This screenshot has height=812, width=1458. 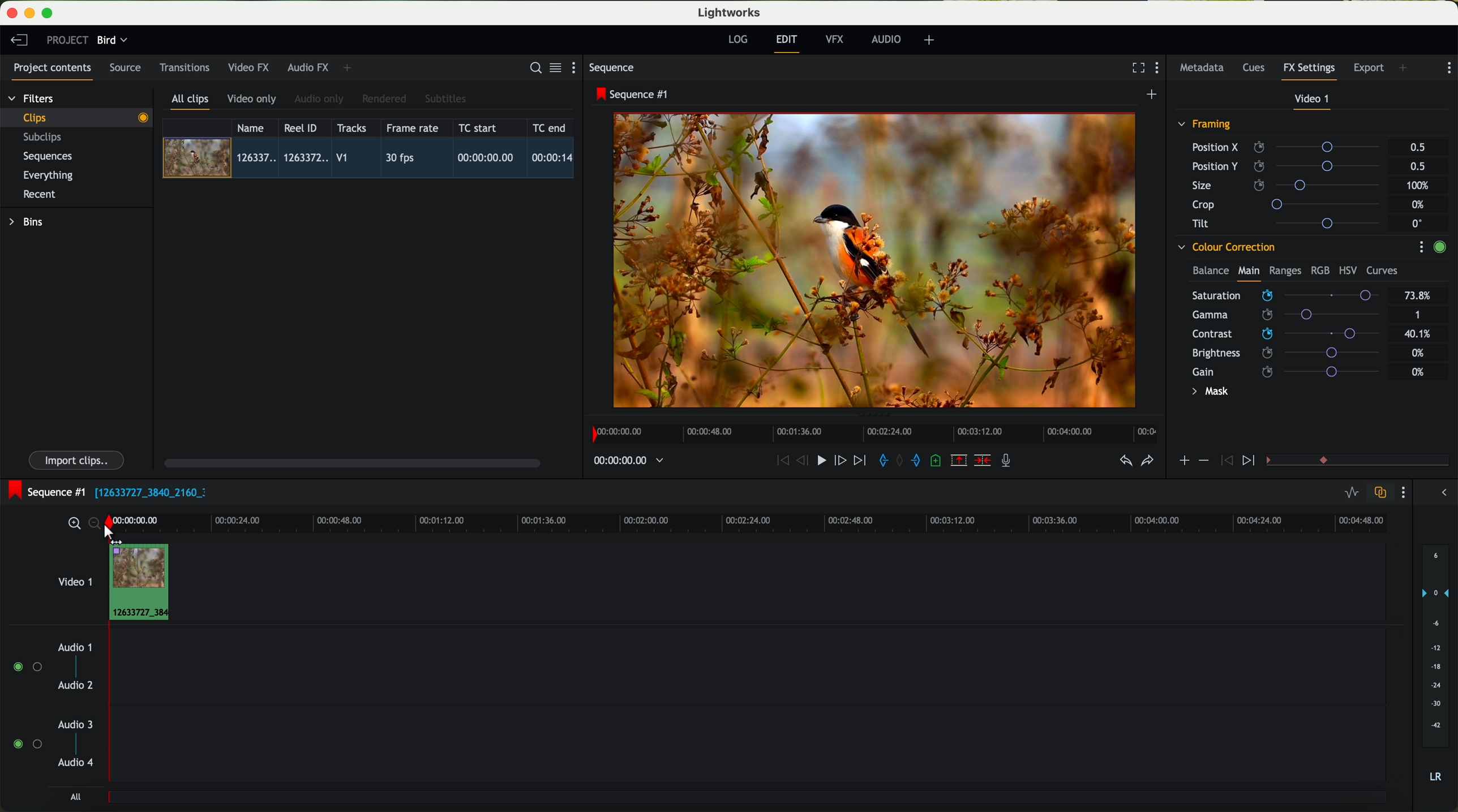 I want to click on fullscreen, so click(x=1136, y=67).